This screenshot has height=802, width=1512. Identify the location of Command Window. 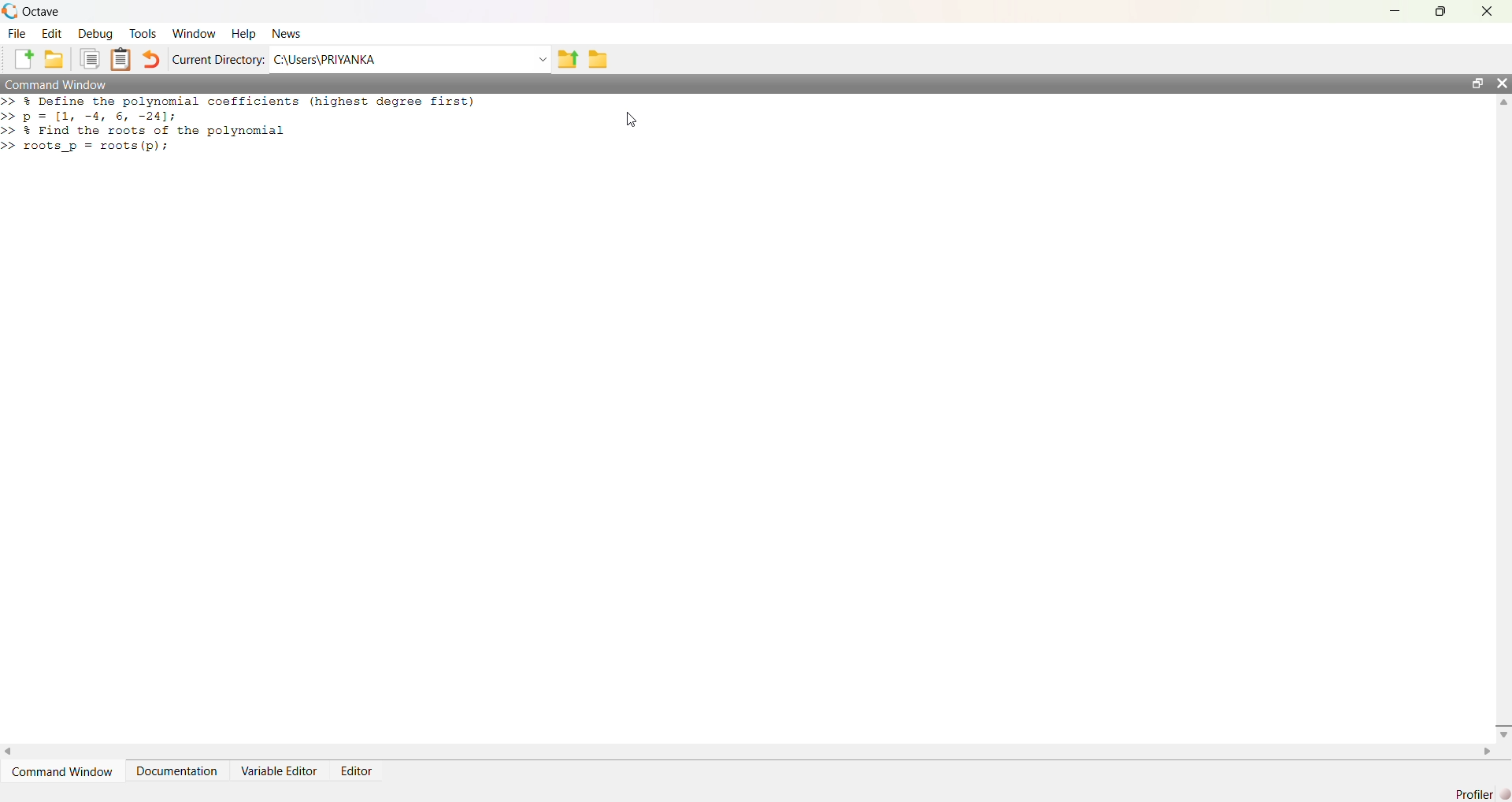
(65, 771).